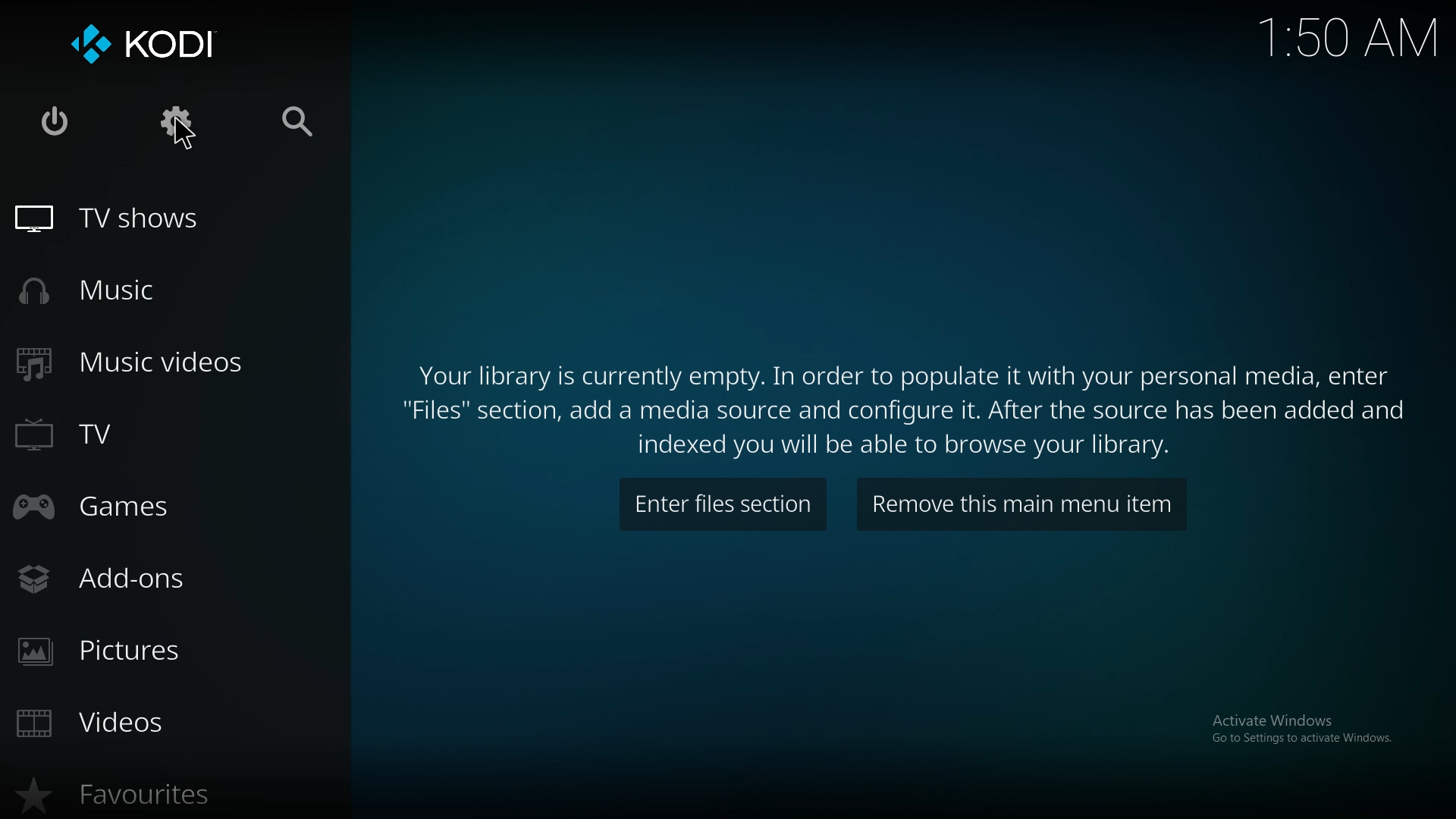 This screenshot has width=1456, height=819. What do you see at coordinates (184, 134) in the screenshot?
I see `Cursor` at bounding box center [184, 134].